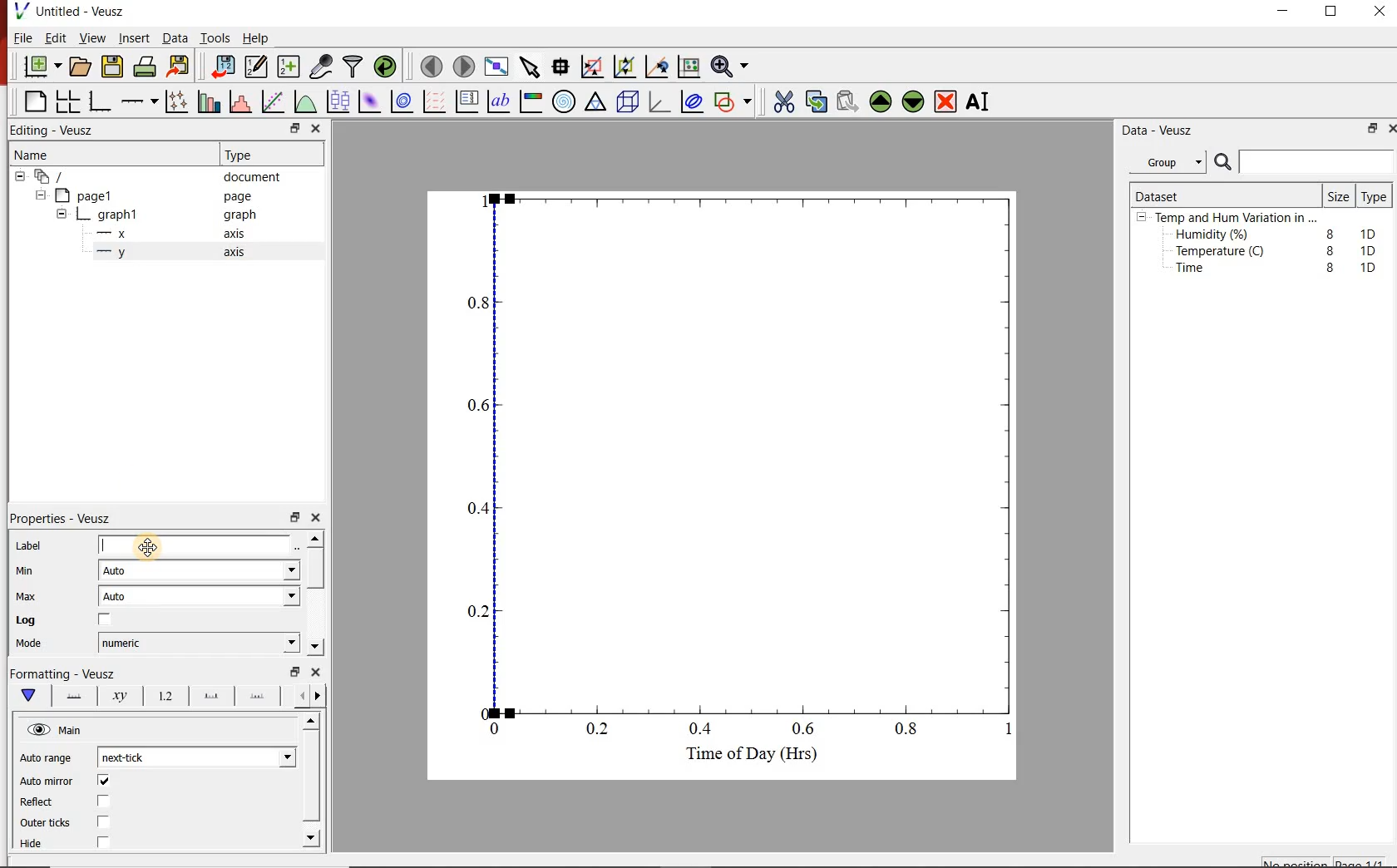  I want to click on 3d scene, so click(629, 104).